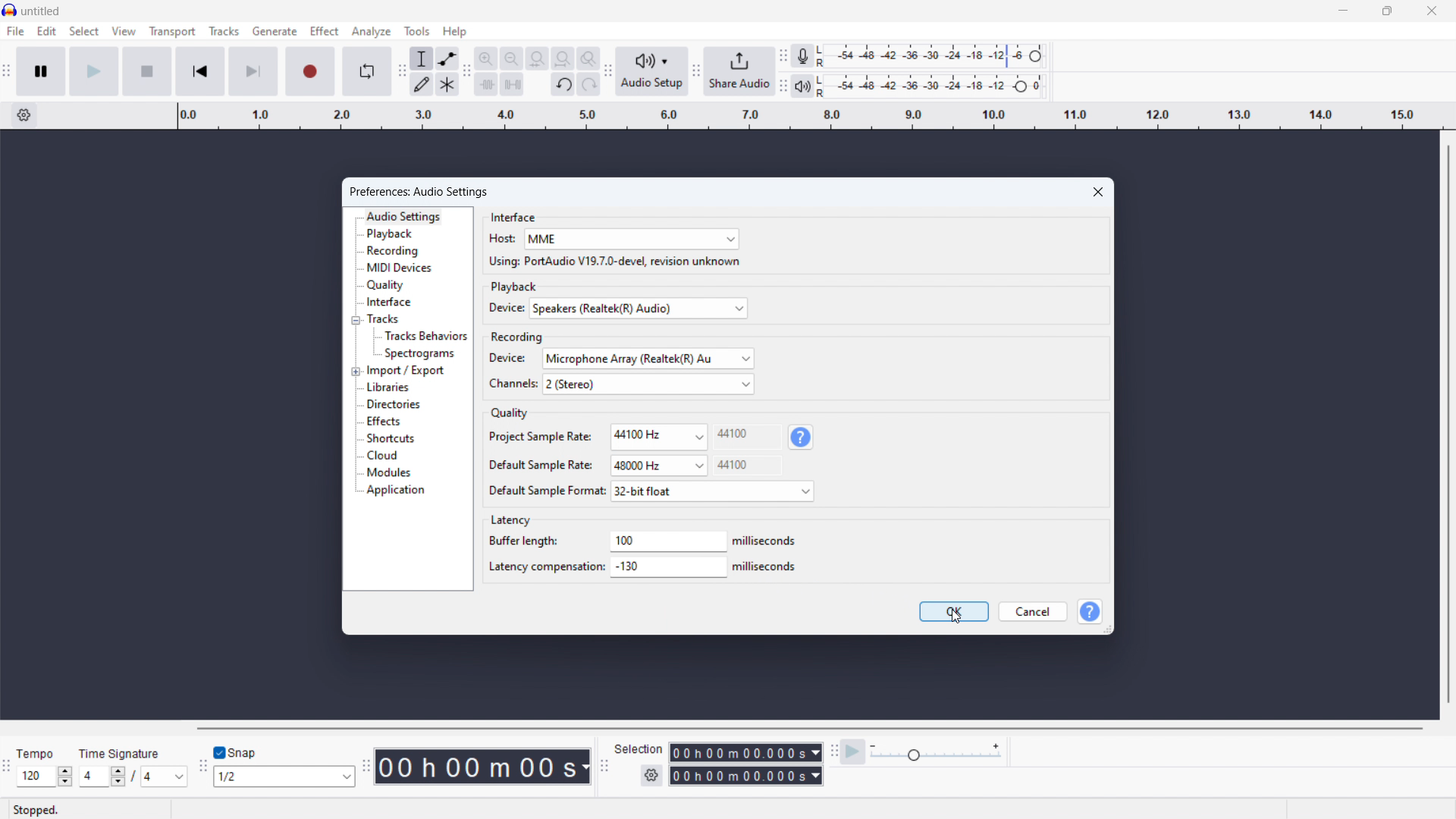 The image size is (1456, 819). I want to click on recording level, so click(936, 57).